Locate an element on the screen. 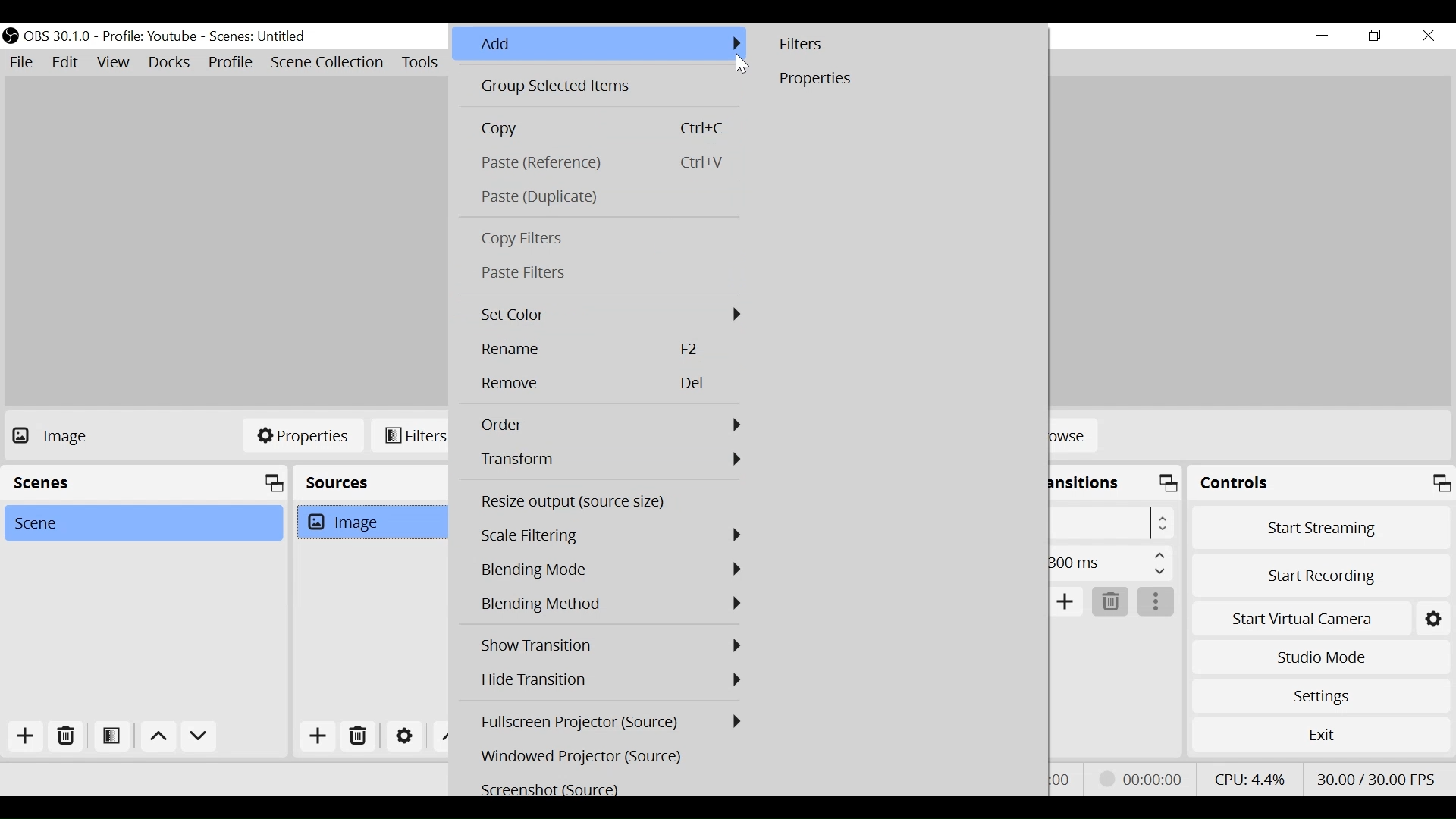  Add is located at coordinates (1064, 602).